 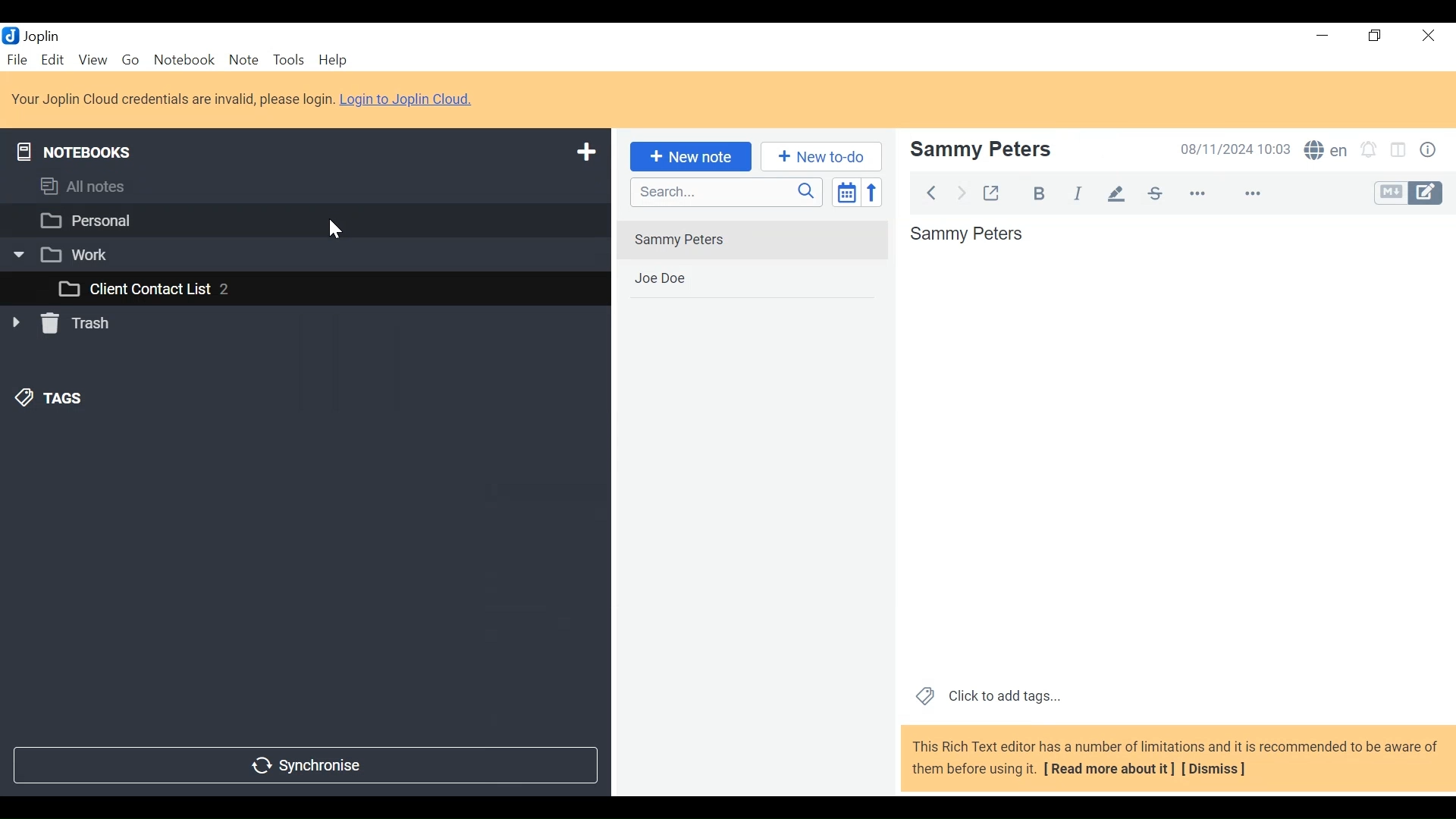 I want to click on Strikethrough, so click(x=1153, y=193).